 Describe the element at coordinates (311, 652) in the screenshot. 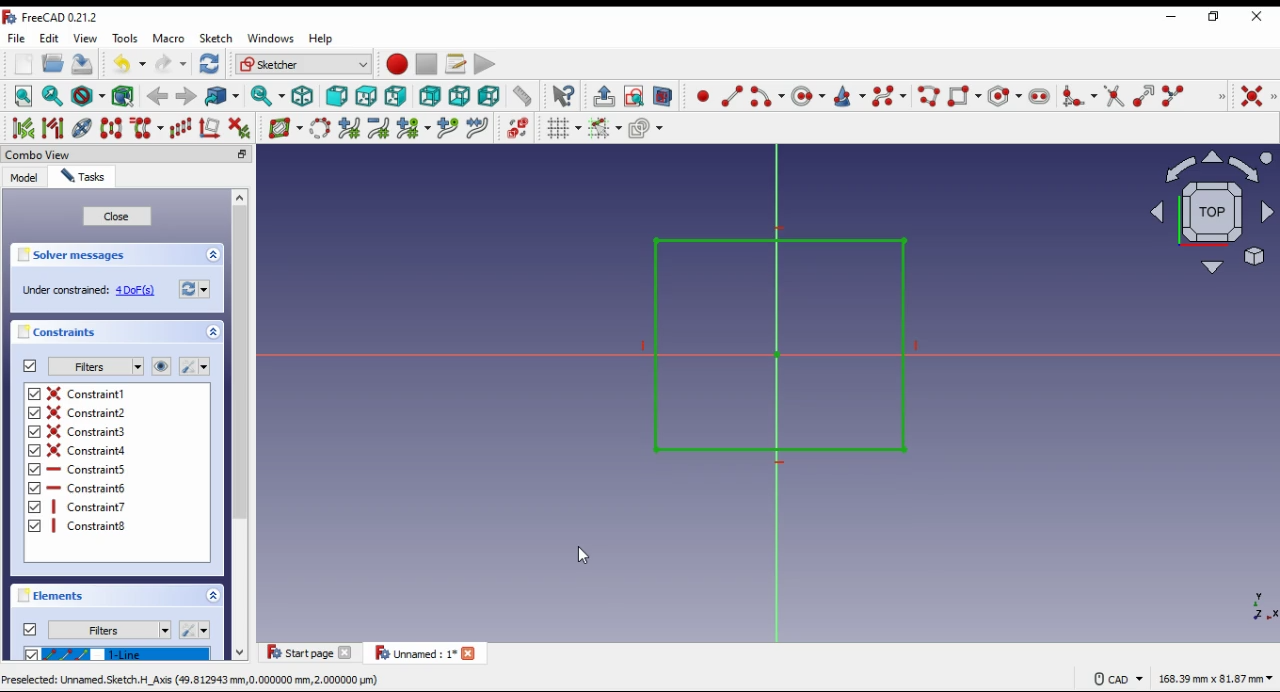

I see `tab 1` at that location.